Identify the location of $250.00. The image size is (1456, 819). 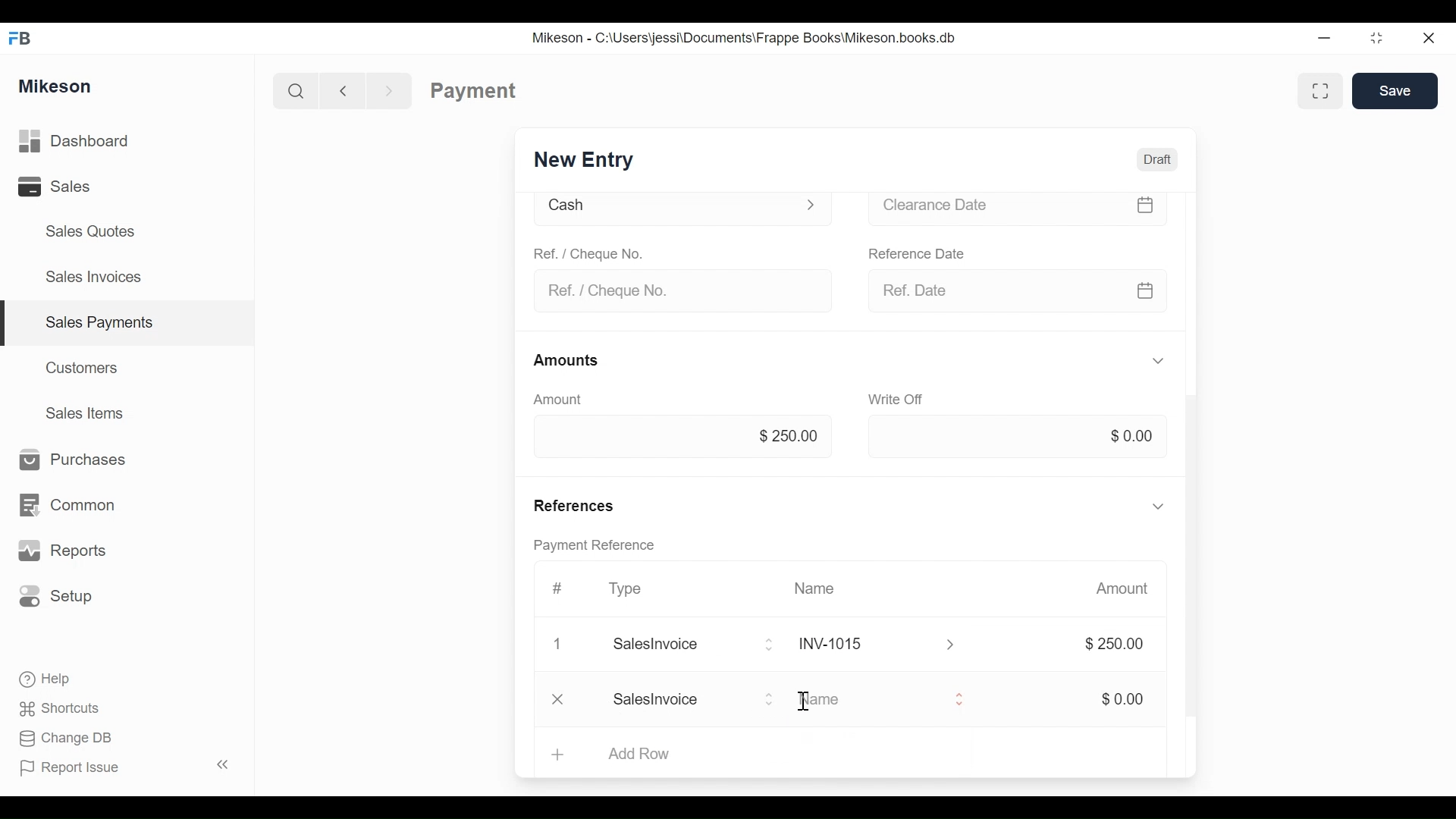
(790, 438).